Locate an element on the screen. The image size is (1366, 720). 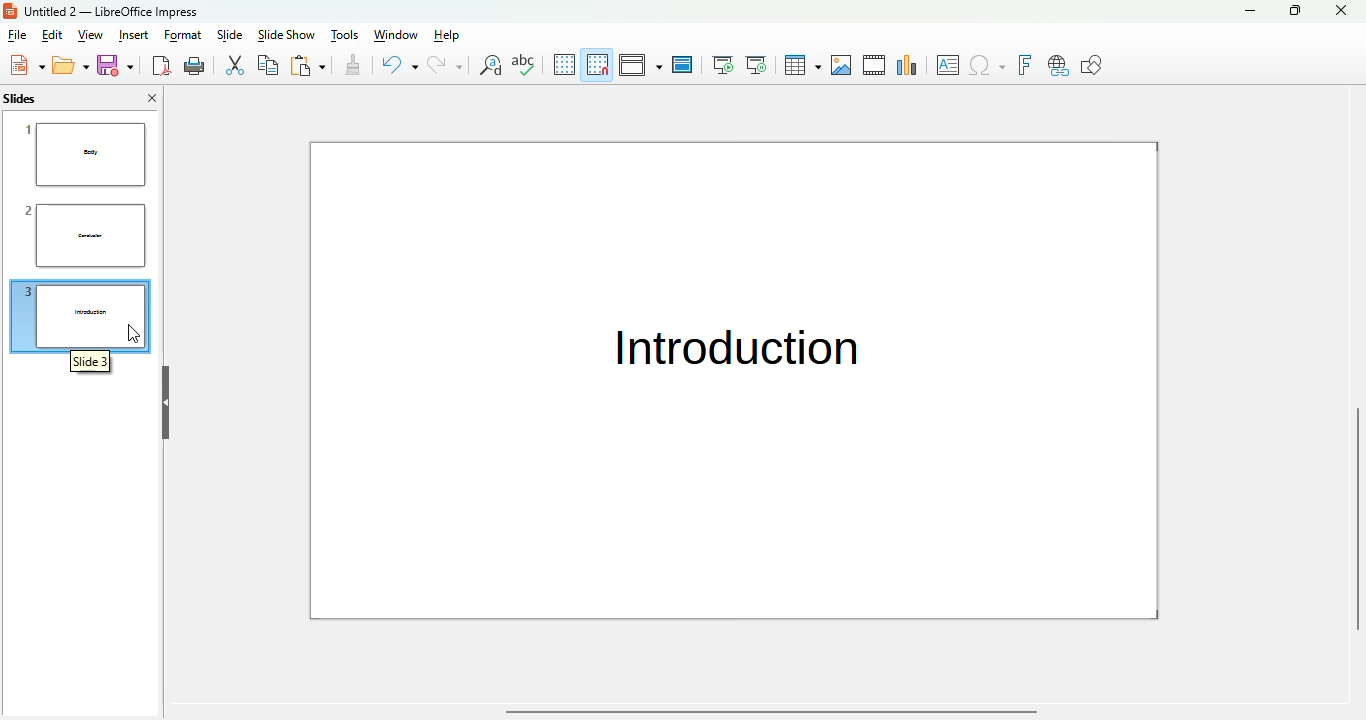
insert hyperlink is located at coordinates (1058, 65).